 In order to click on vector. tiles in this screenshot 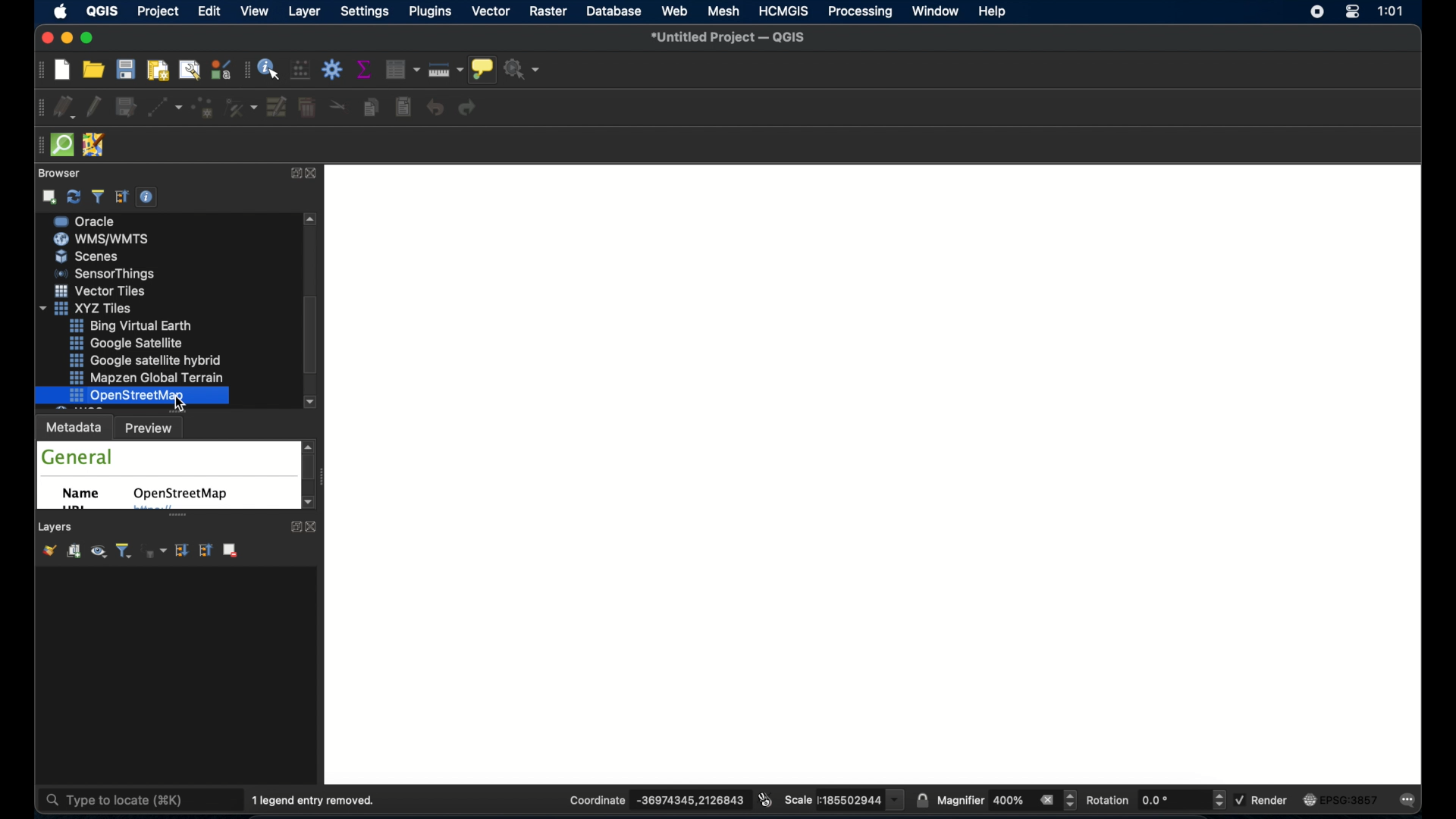, I will do `click(143, 343)`.